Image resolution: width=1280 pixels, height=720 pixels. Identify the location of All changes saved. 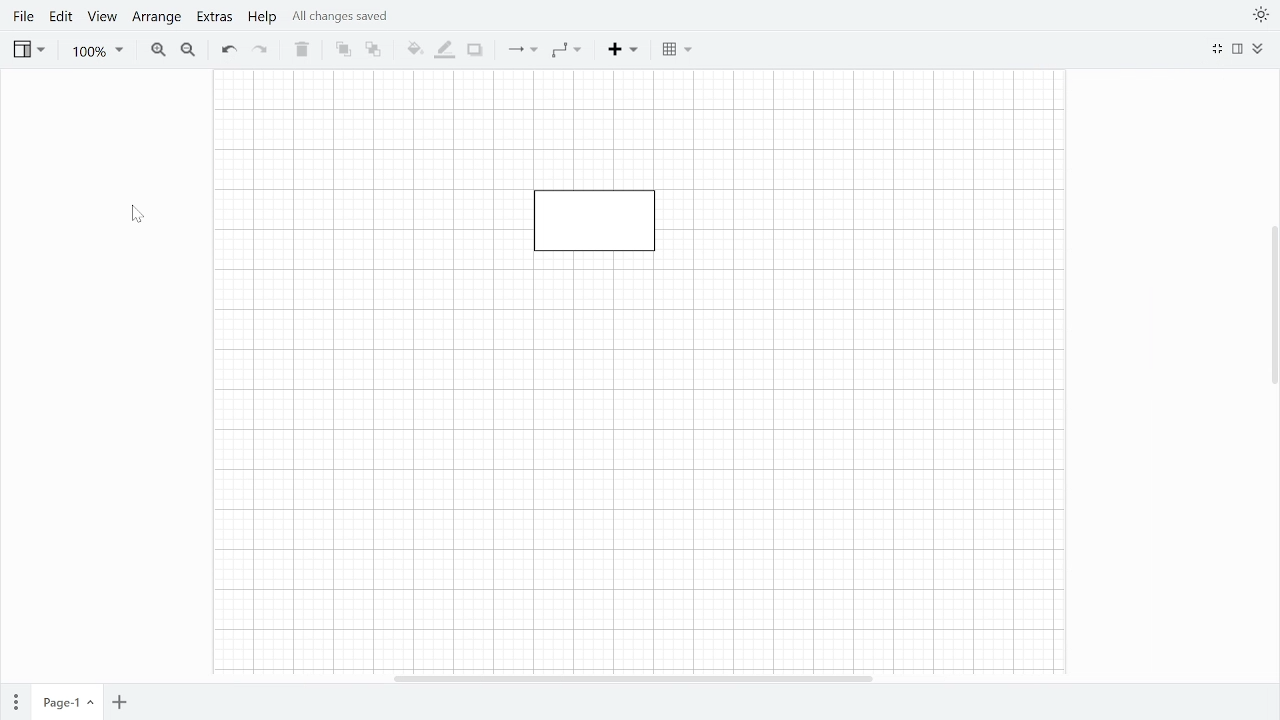
(343, 18).